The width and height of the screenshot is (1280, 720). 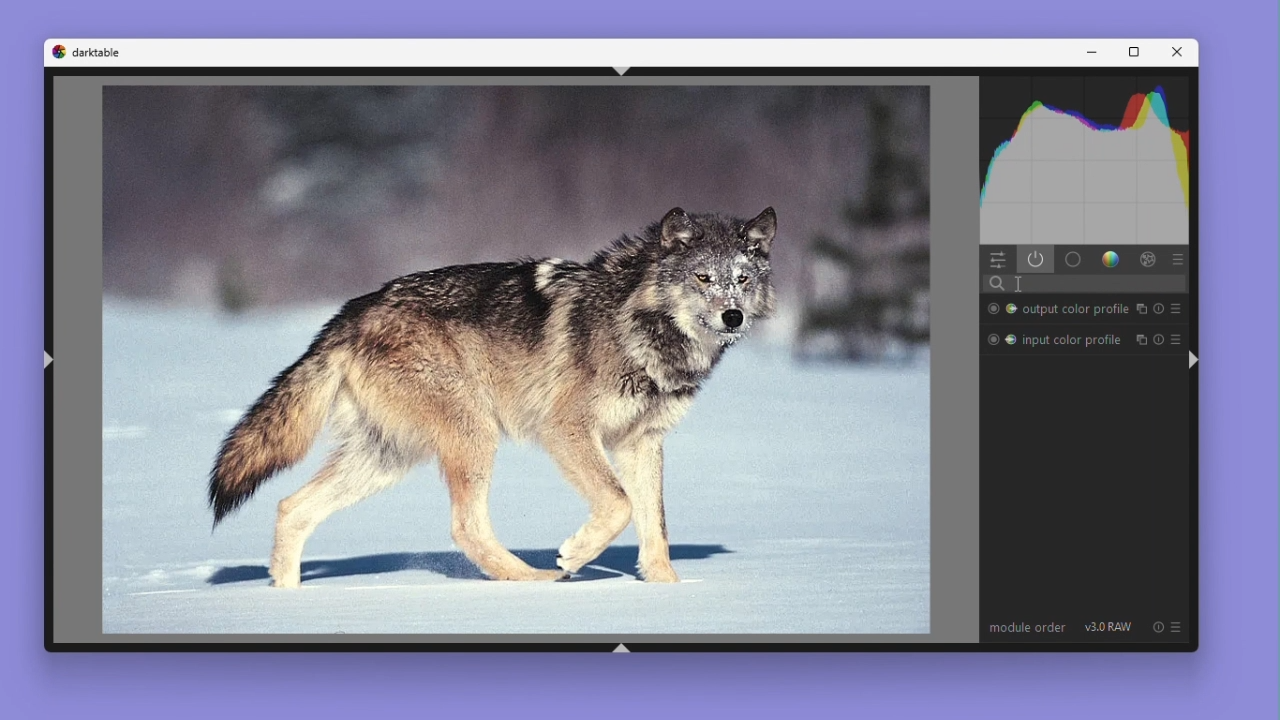 I want to click on Quick access panel, so click(x=998, y=259).